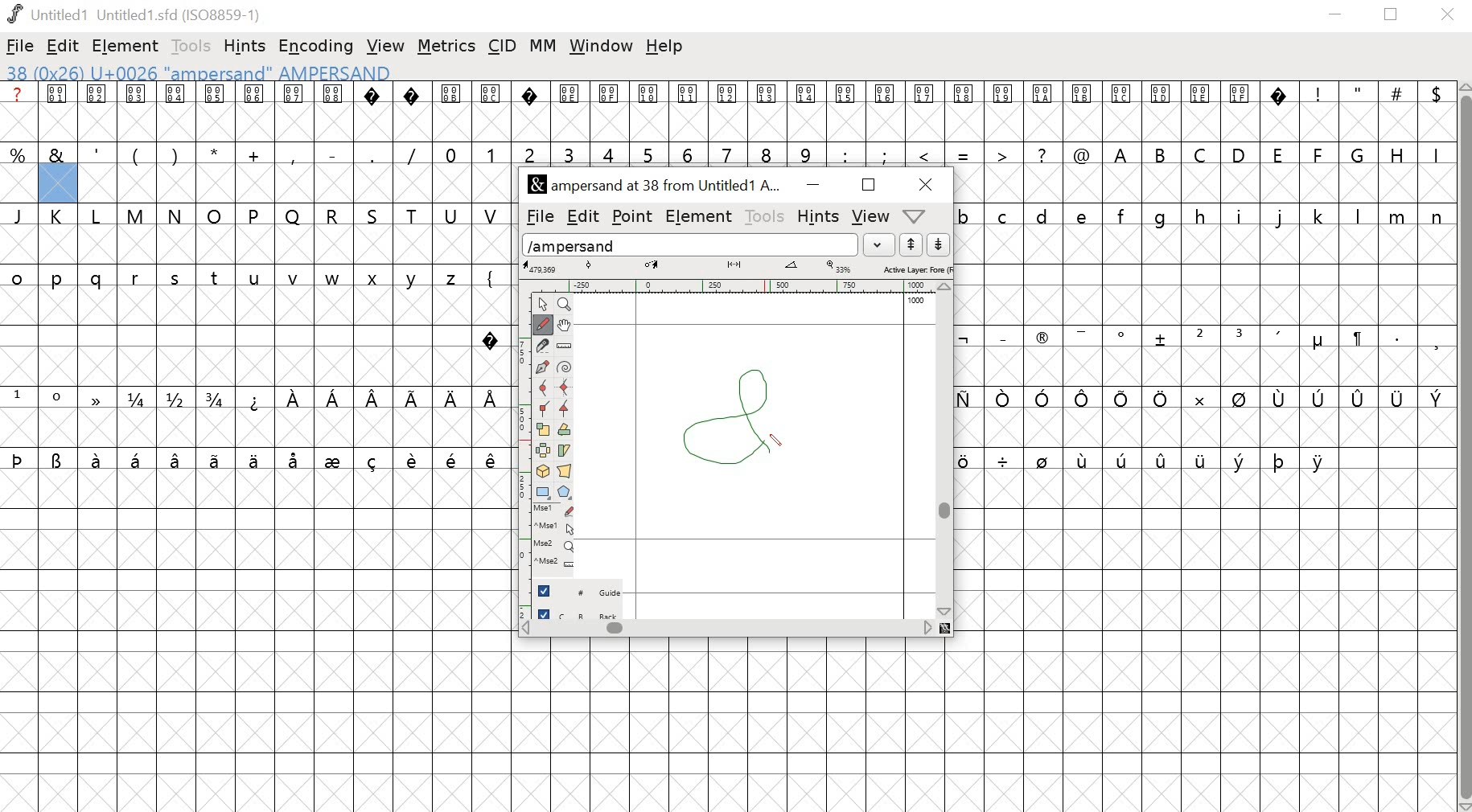  I want to click on edit, so click(582, 215).